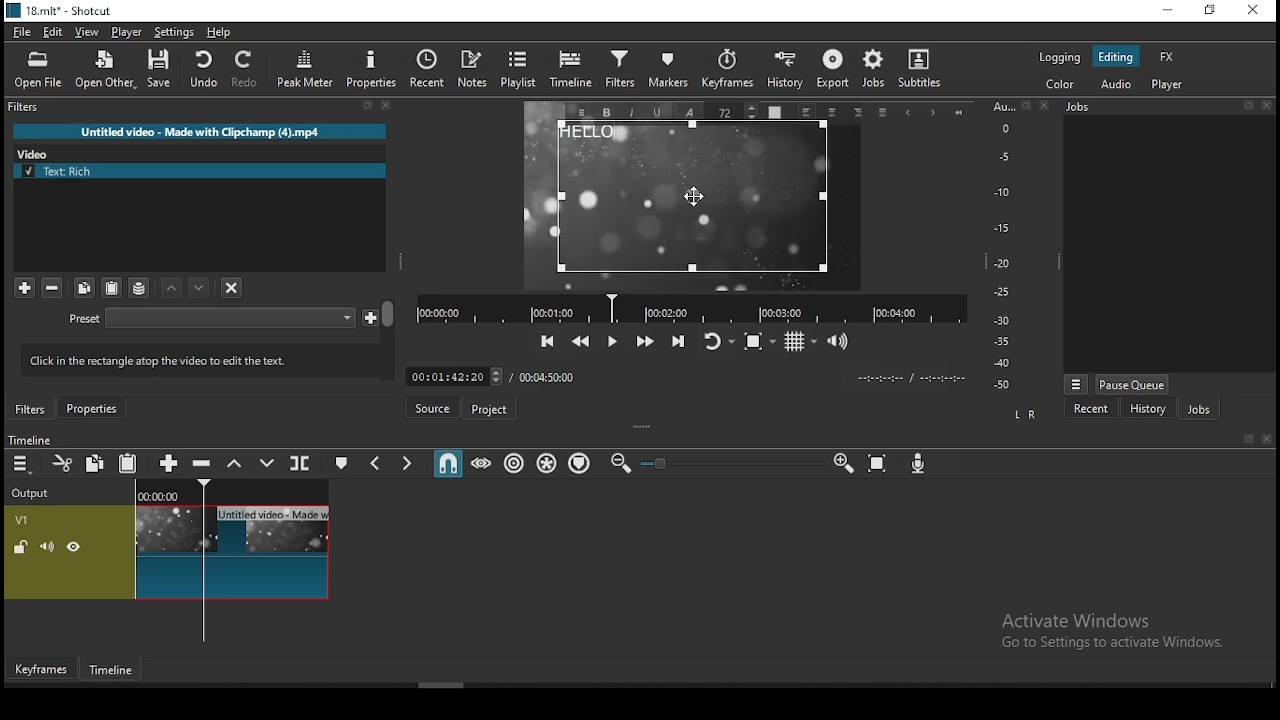  Describe the element at coordinates (167, 552) in the screenshot. I see `video track` at that location.